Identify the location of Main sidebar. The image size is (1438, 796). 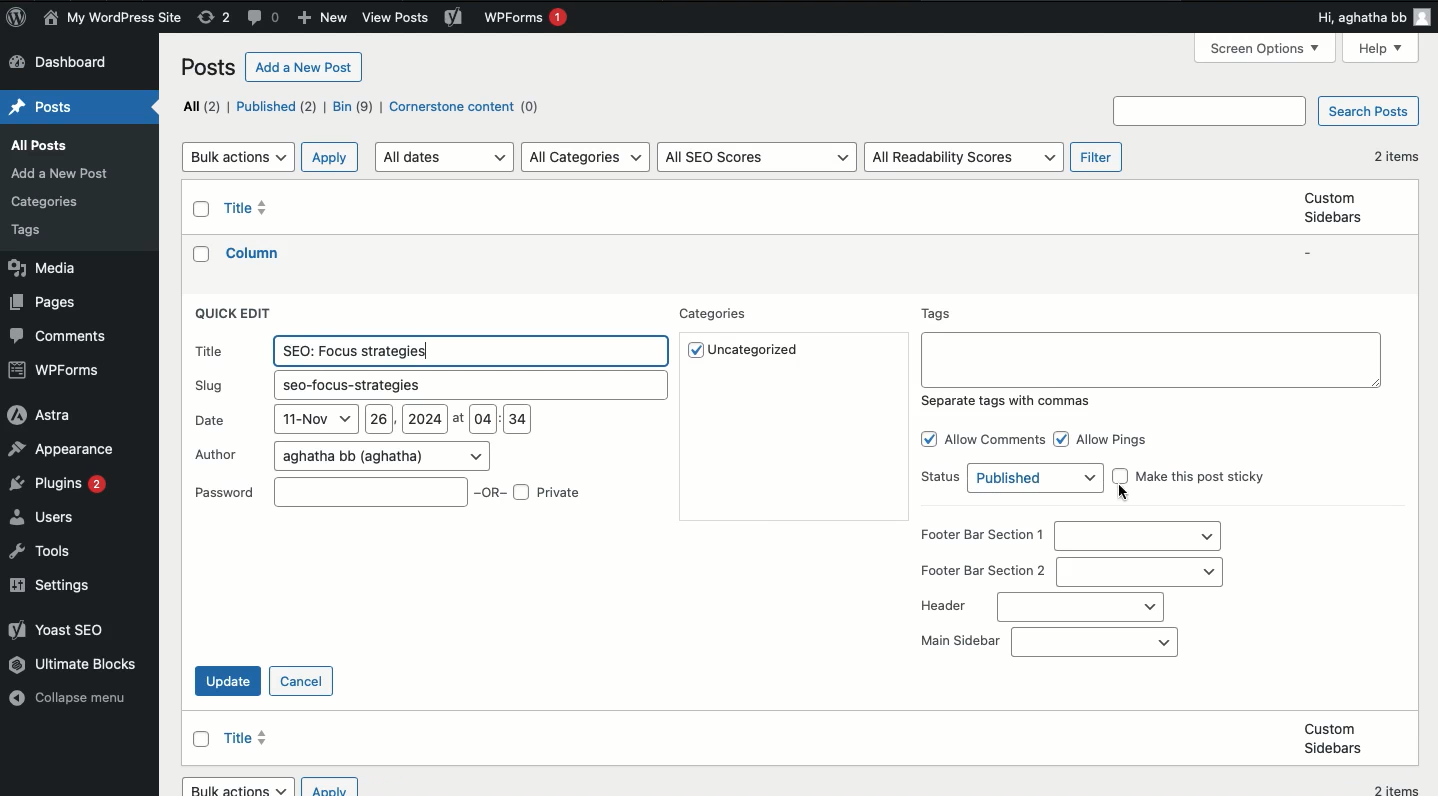
(1093, 642).